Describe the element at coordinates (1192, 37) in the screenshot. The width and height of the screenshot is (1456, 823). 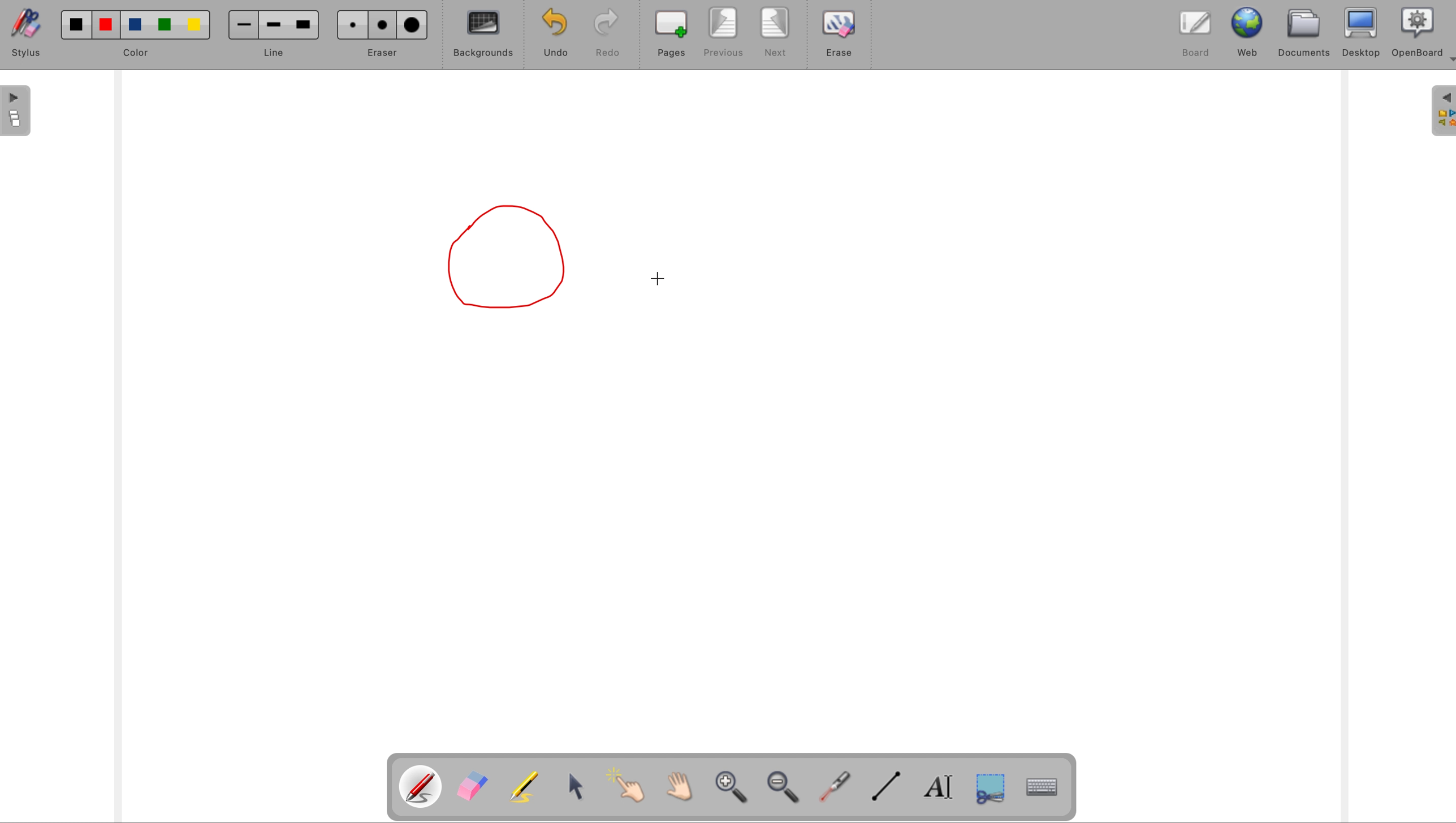
I see `board` at that location.